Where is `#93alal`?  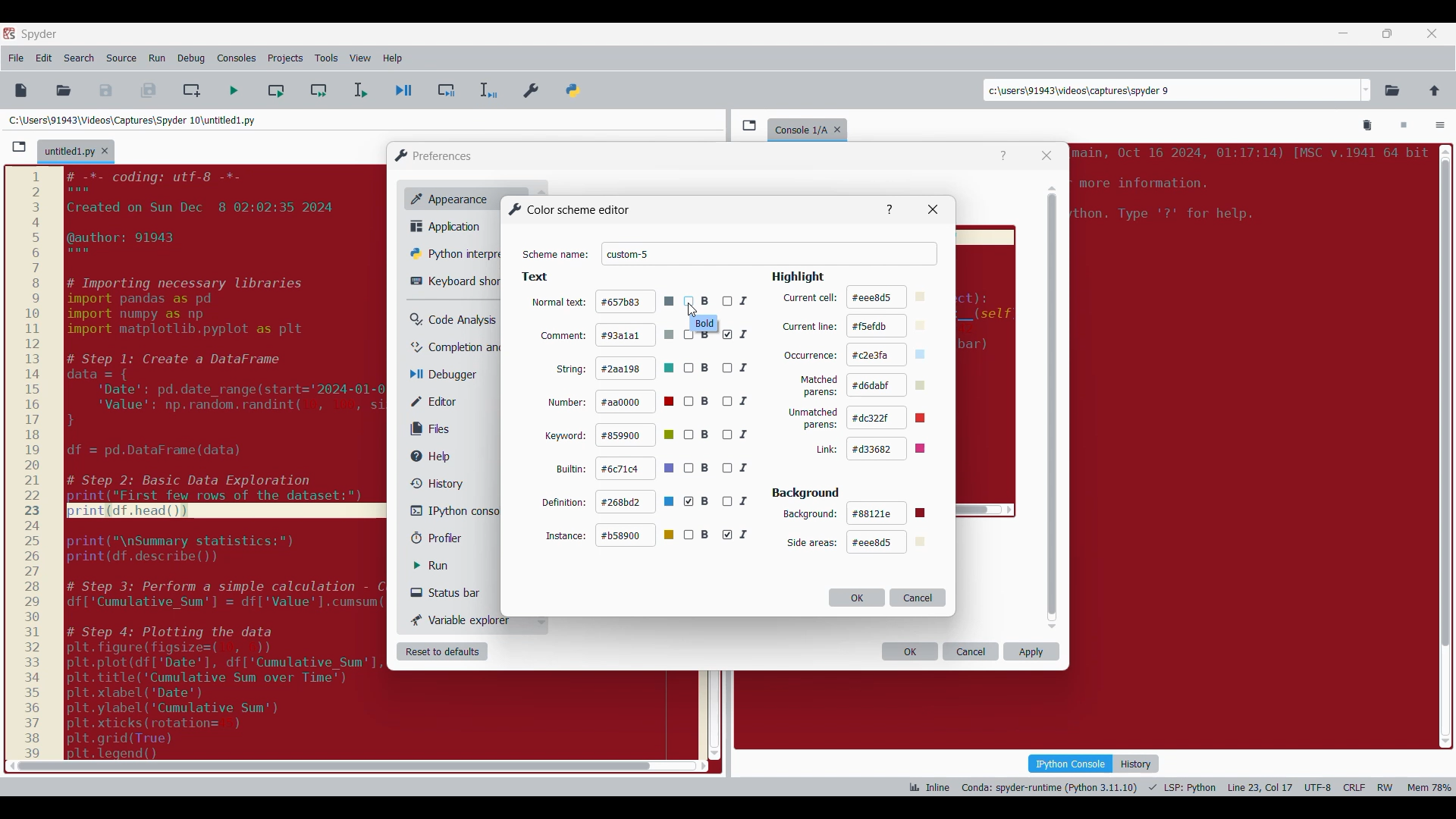
#93alal is located at coordinates (635, 334).